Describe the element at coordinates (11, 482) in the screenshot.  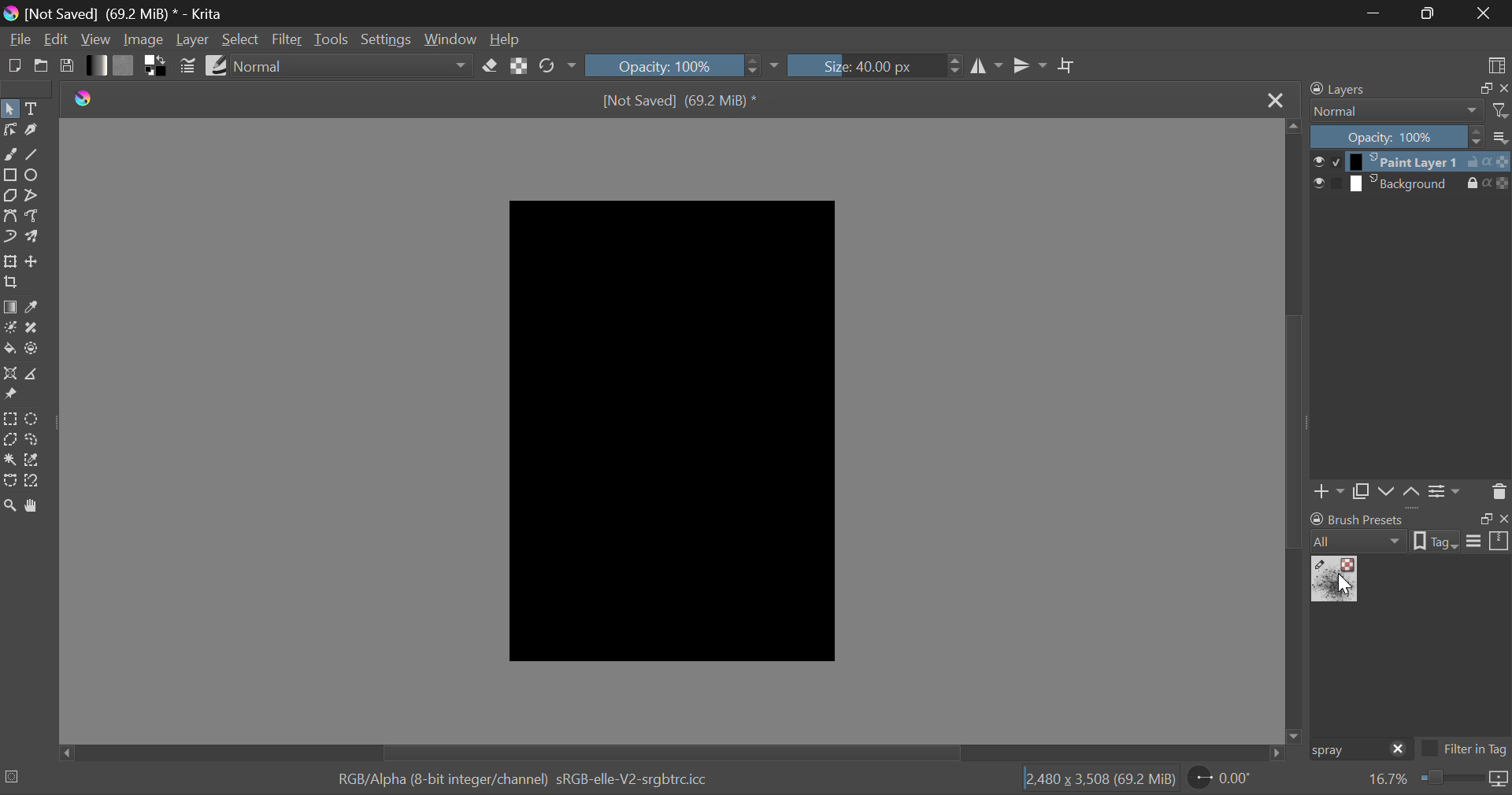
I see `Bezier Curve Selection` at that location.